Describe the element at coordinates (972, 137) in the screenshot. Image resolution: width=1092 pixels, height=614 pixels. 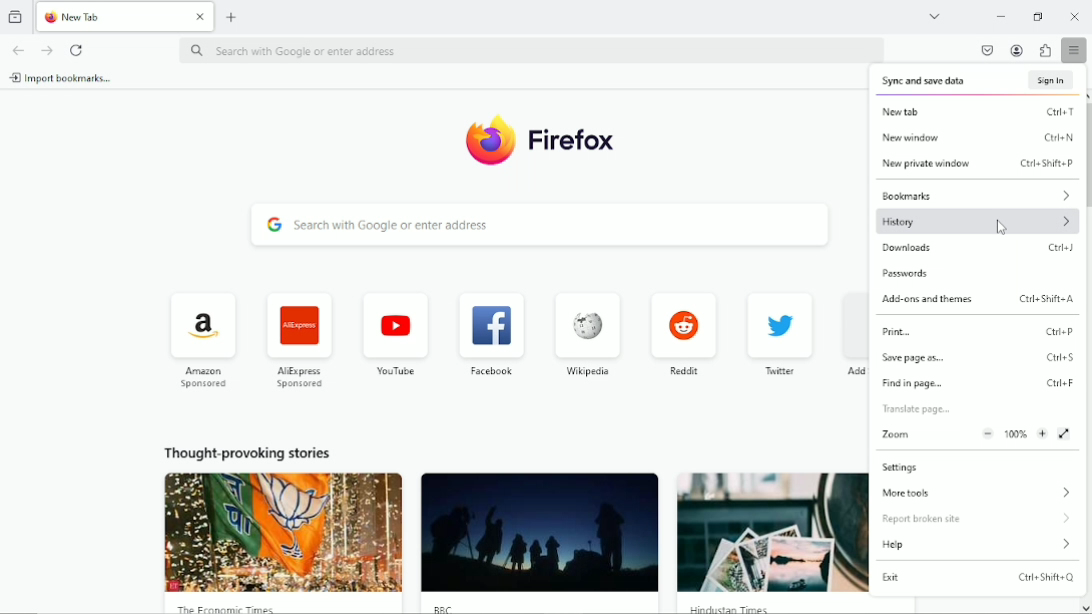
I see `New window Ctrl+N` at that location.